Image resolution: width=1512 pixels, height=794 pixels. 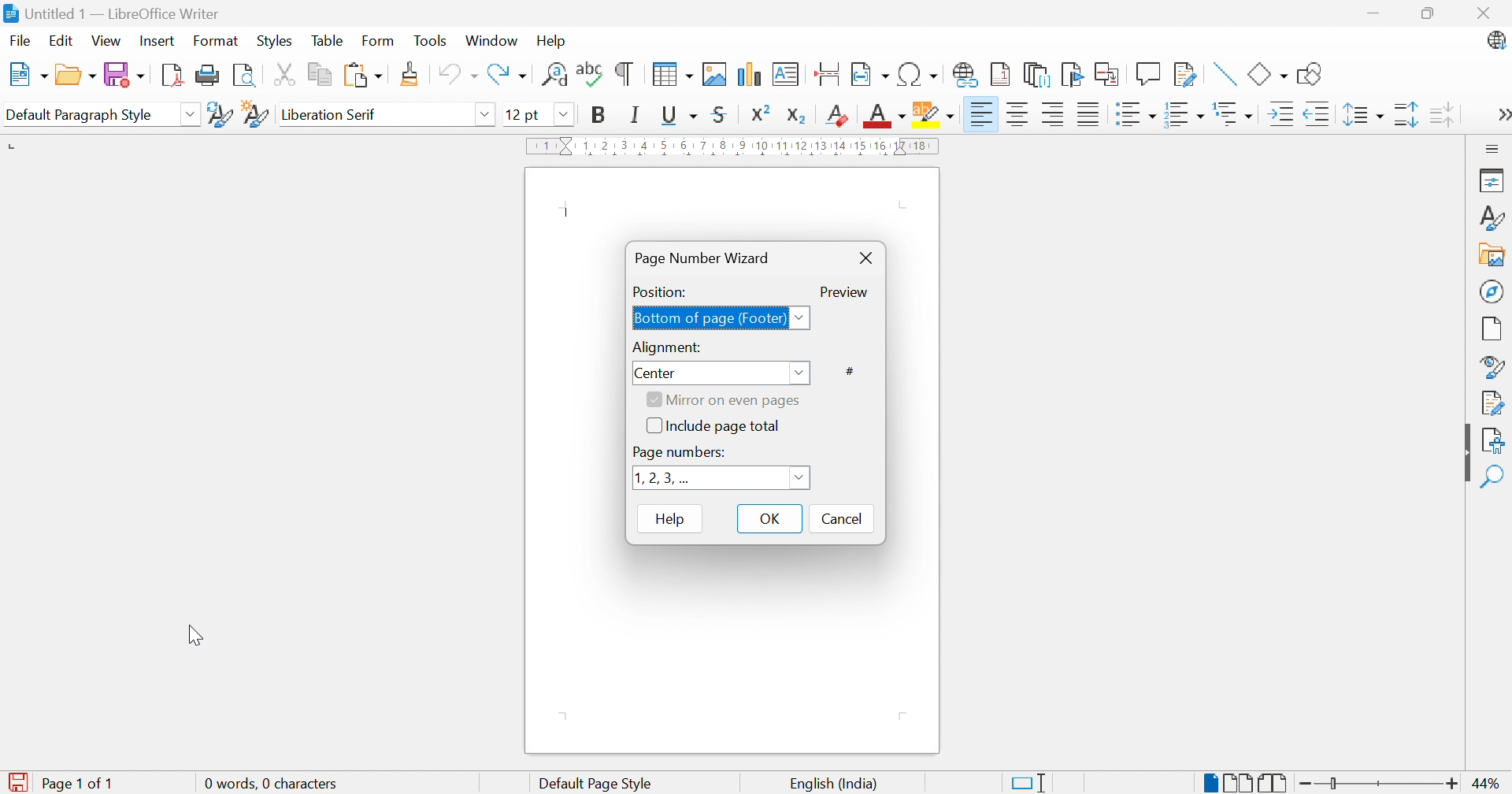 What do you see at coordinates (220, 116) in the screenshot?
I see `Update selected style` at bounding box center [220, 116].